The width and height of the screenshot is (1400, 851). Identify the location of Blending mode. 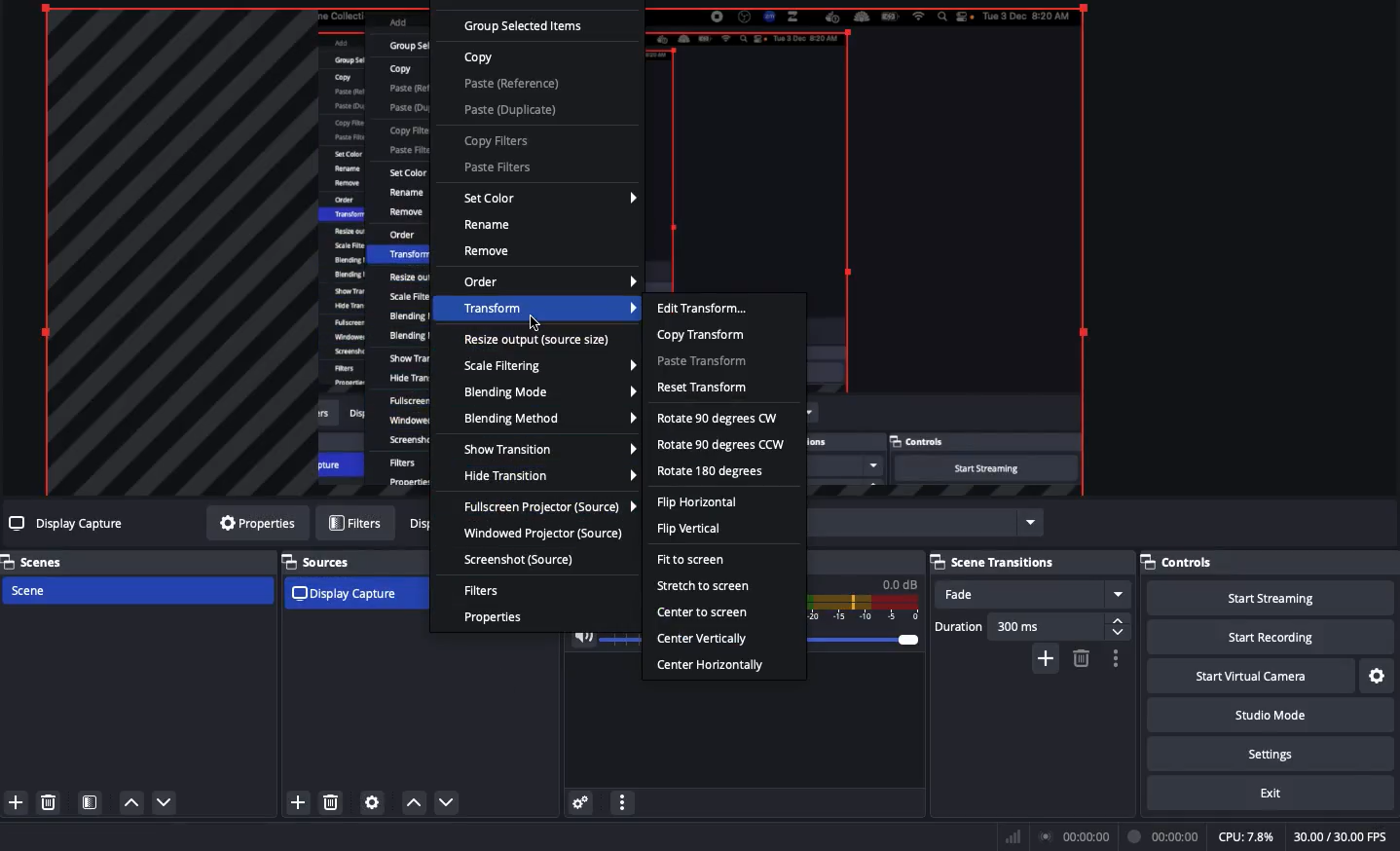
(547, 391).